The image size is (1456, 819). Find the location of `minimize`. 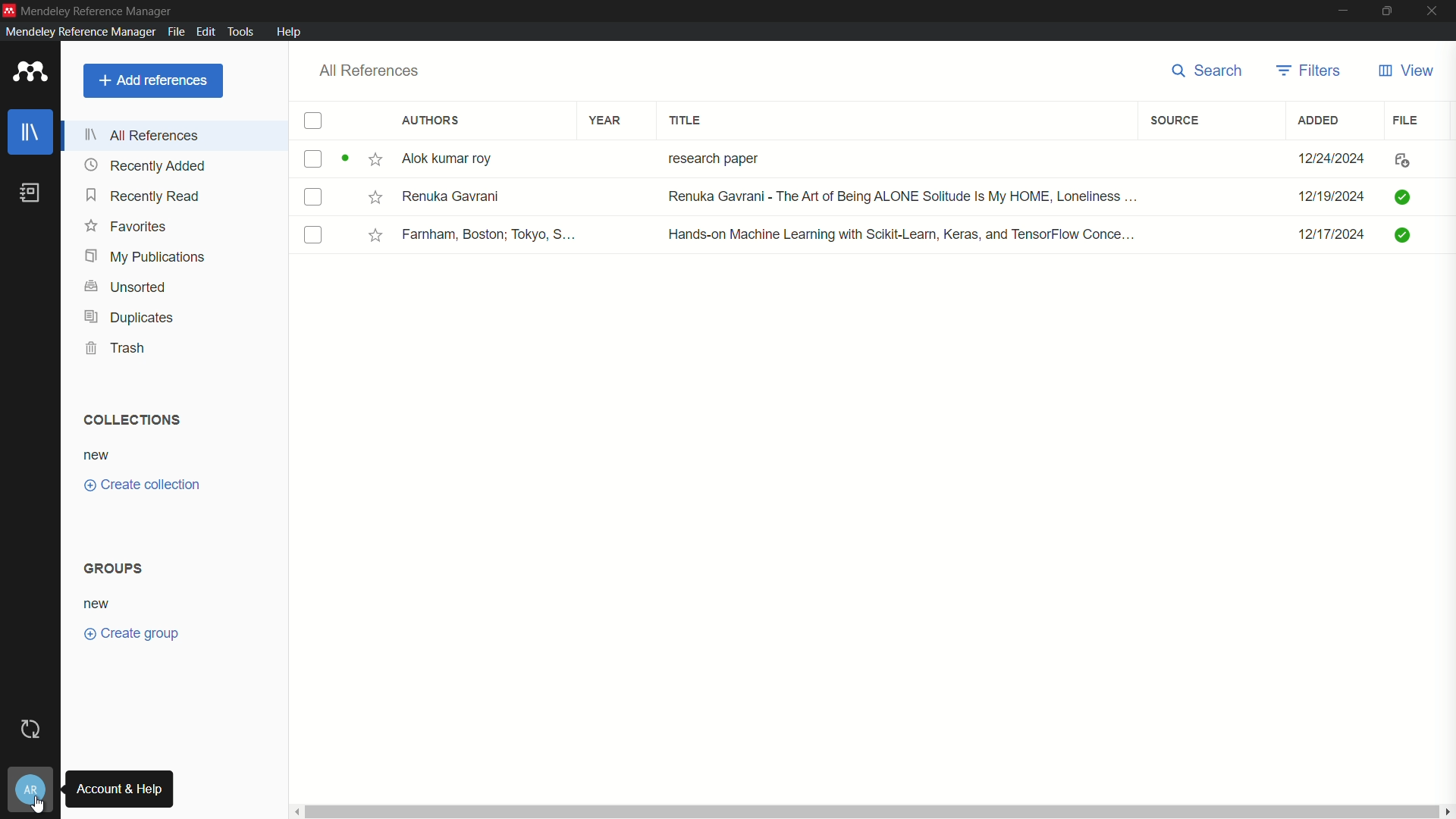

minimize is located at coordinates (1341, 11).